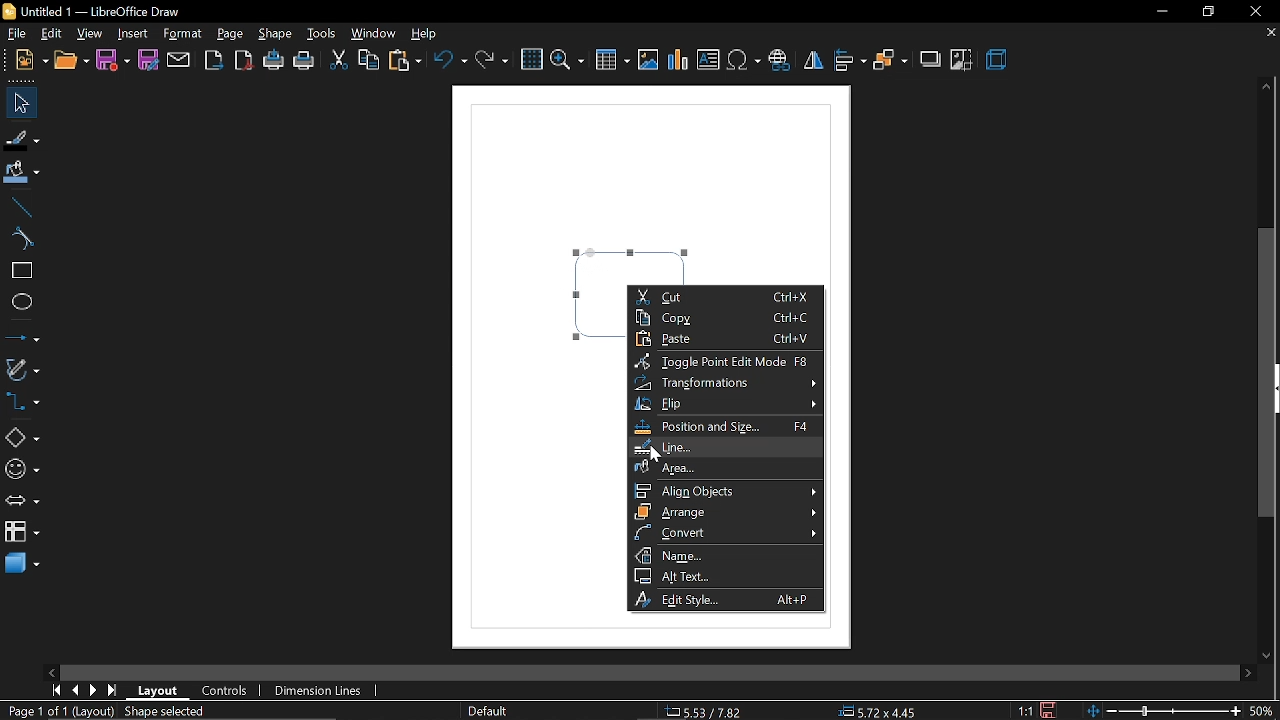 Image resolution: width=1280 pixels, height=720 pixels. What do you see at coordinates (21, 470) in the screenshot?
I see `symbol shapes` at bounding box center [21, 470].